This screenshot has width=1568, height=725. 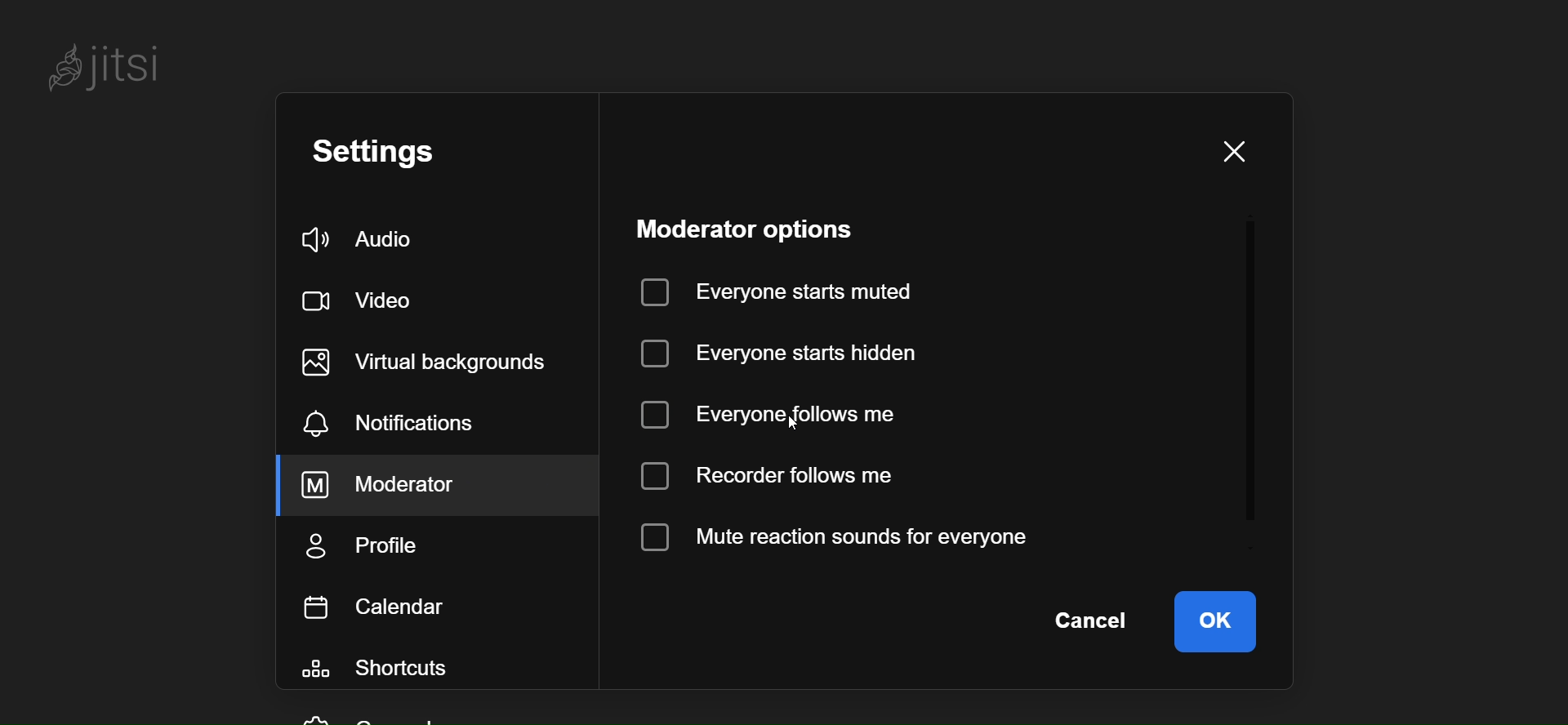 What do you see at coordinates (786, 290) in the screenshot?
I see `everyone stays mute` at bounding box center [786, 290].